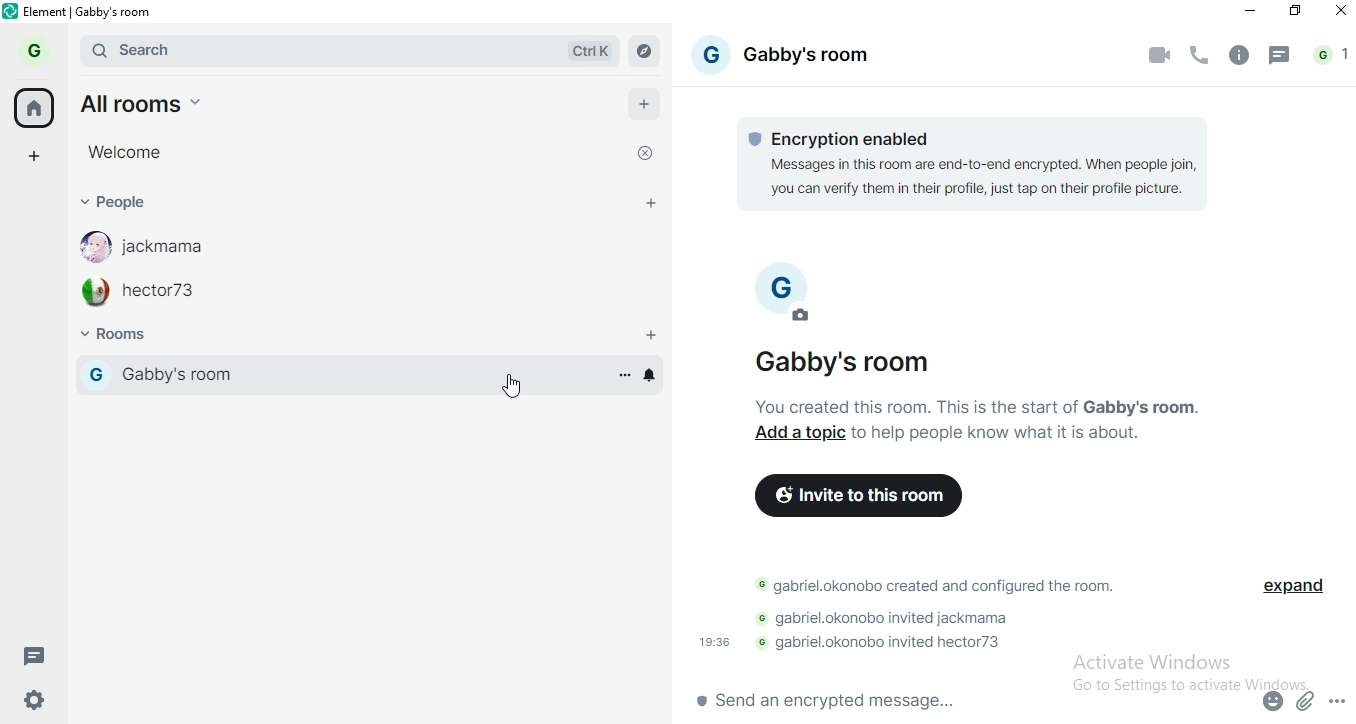 The height and width of the screenshot is (724, 1356). Describe the element at coordinates (268, 47) in the screenshot. I see `search bar` at that location.